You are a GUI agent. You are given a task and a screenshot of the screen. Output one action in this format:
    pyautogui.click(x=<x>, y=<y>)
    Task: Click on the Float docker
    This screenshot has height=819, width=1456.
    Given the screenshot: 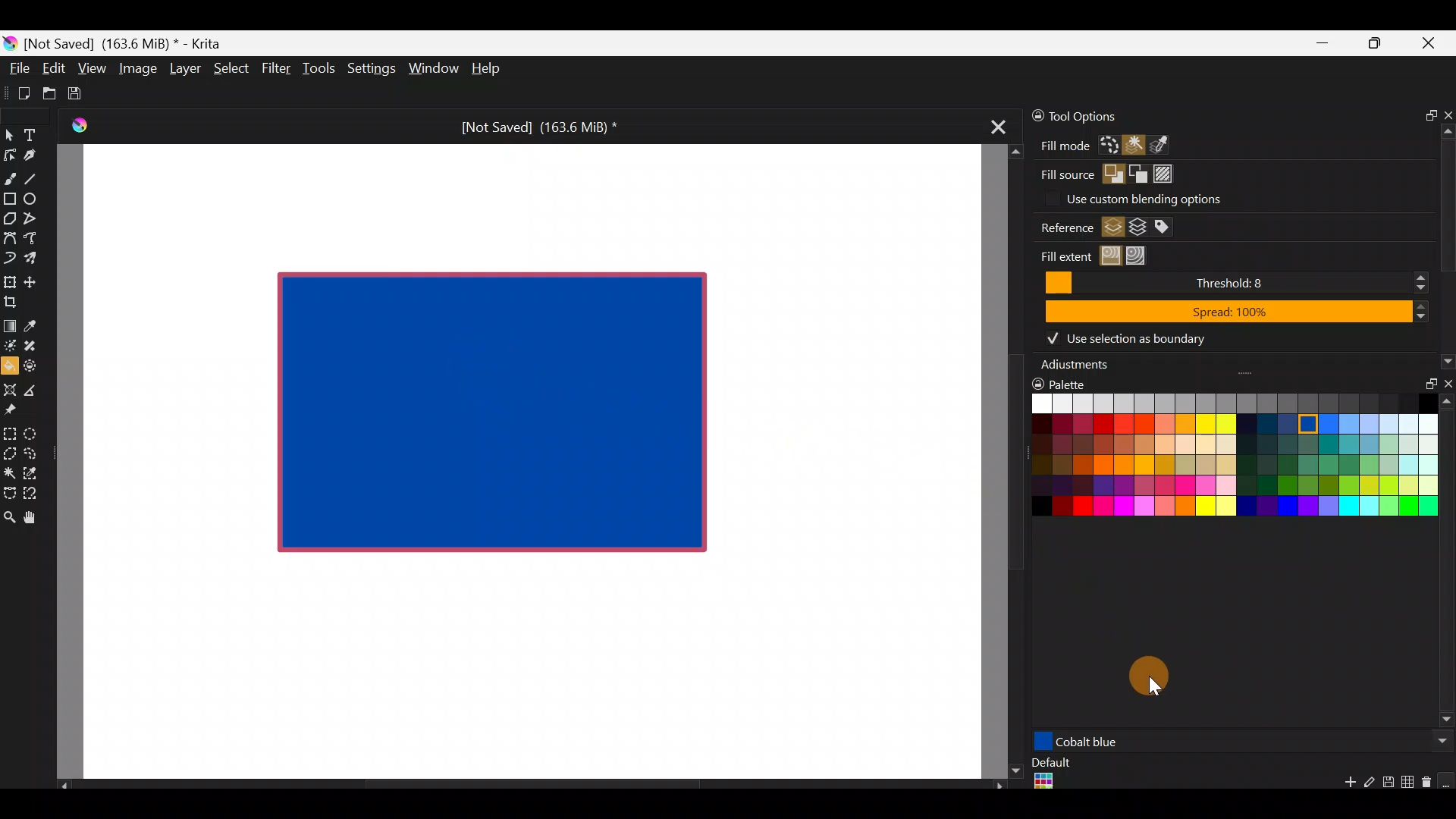 What is the action you would take?
    pyautogui.click(x=1425, y=113)
    